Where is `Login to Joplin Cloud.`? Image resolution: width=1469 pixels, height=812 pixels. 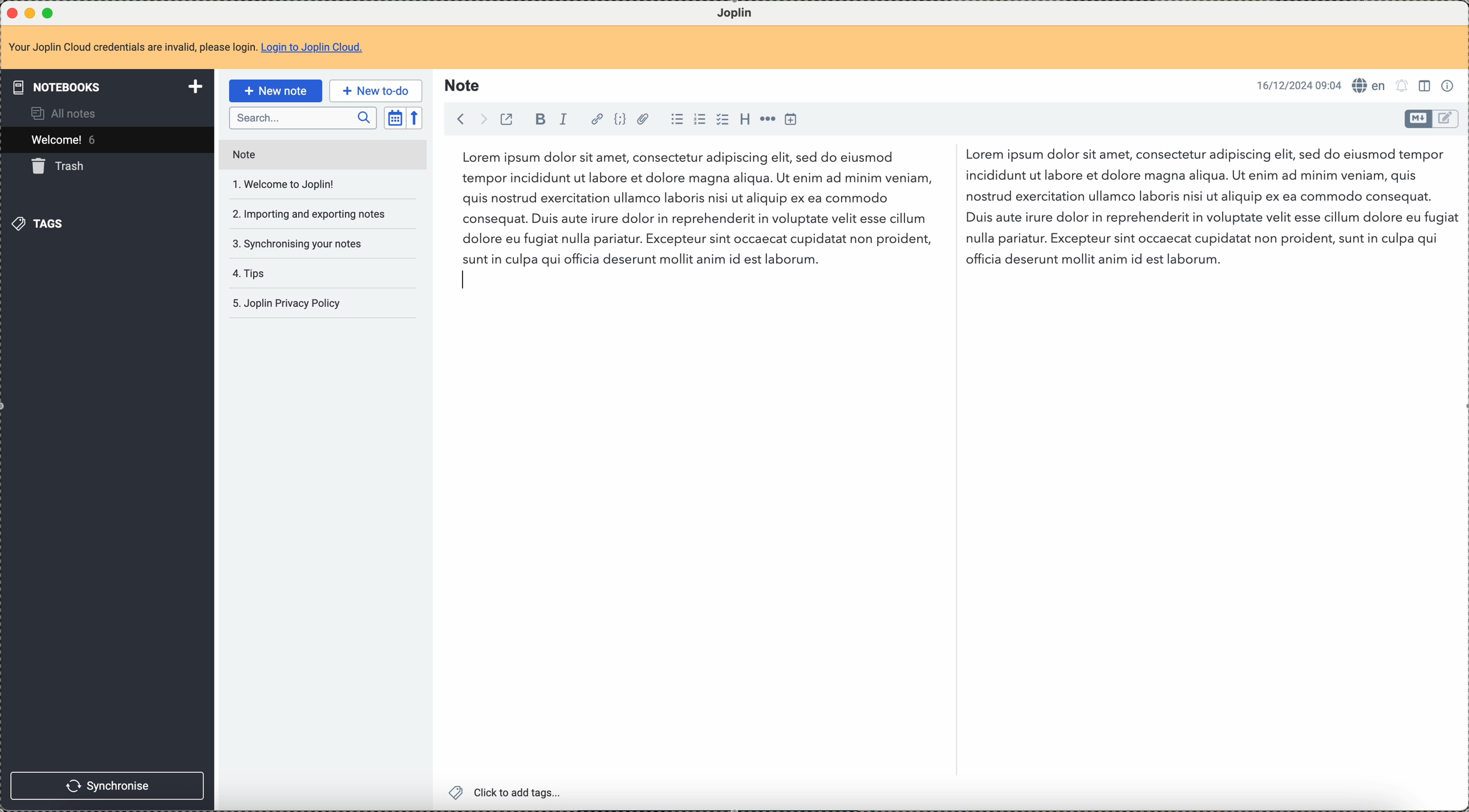
Login to Joplin Cloud. is located at coordinates (316, 49).